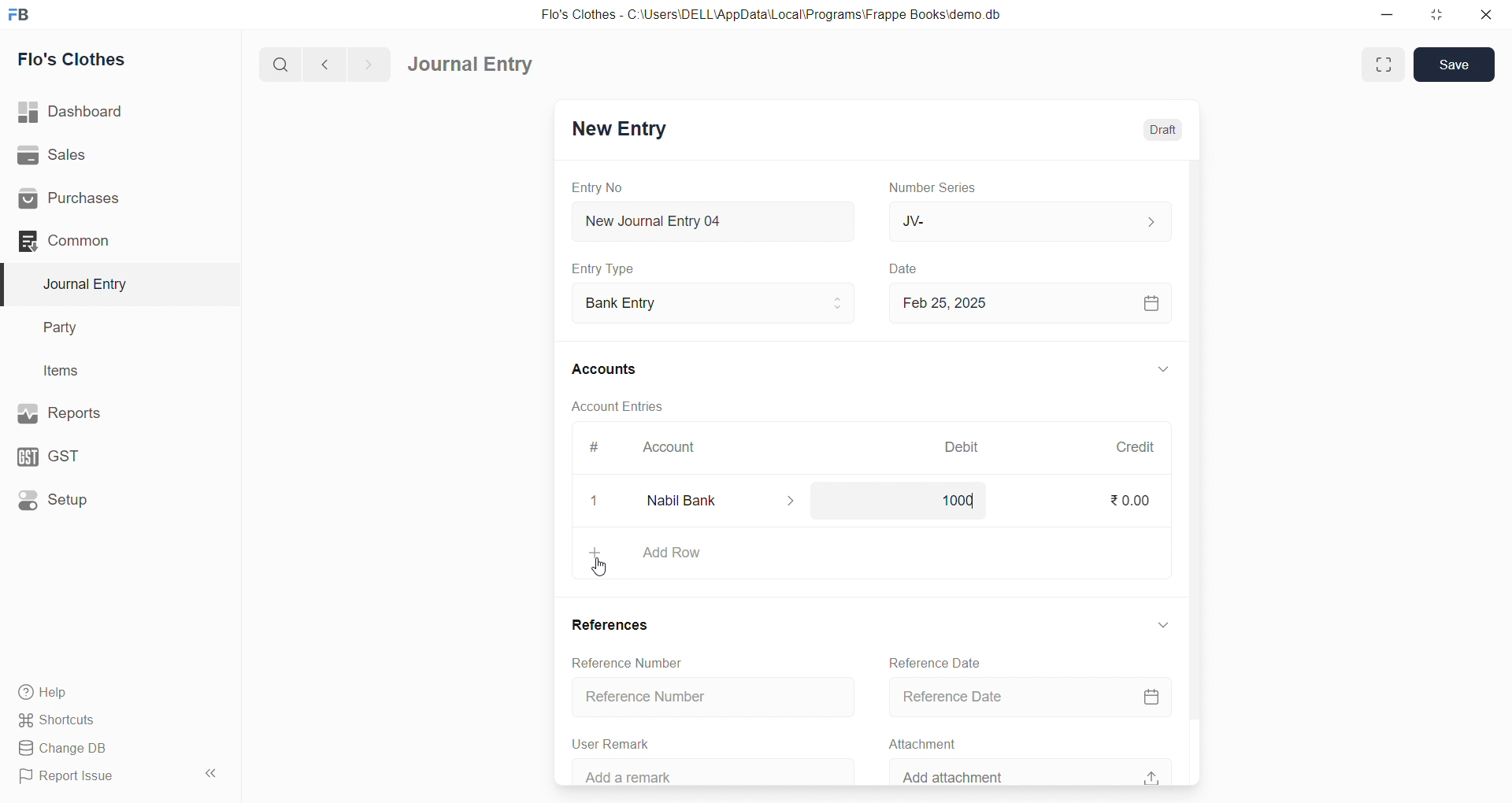  Describe the element at coordinates (109, 372) in the screenshot. I see `Items` at that location.